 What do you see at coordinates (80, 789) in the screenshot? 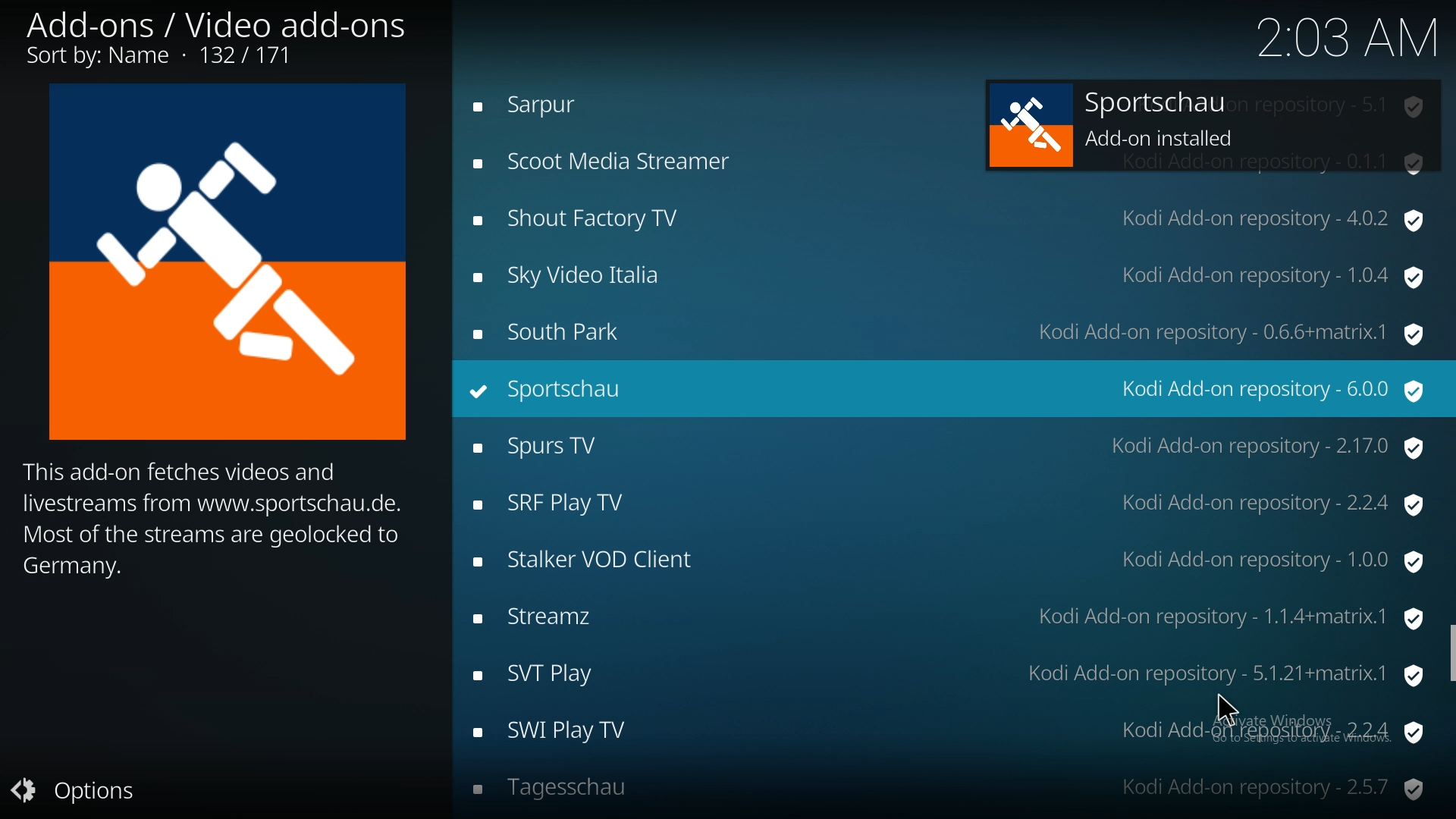
I see `Options` at bounding box center [80, 789].